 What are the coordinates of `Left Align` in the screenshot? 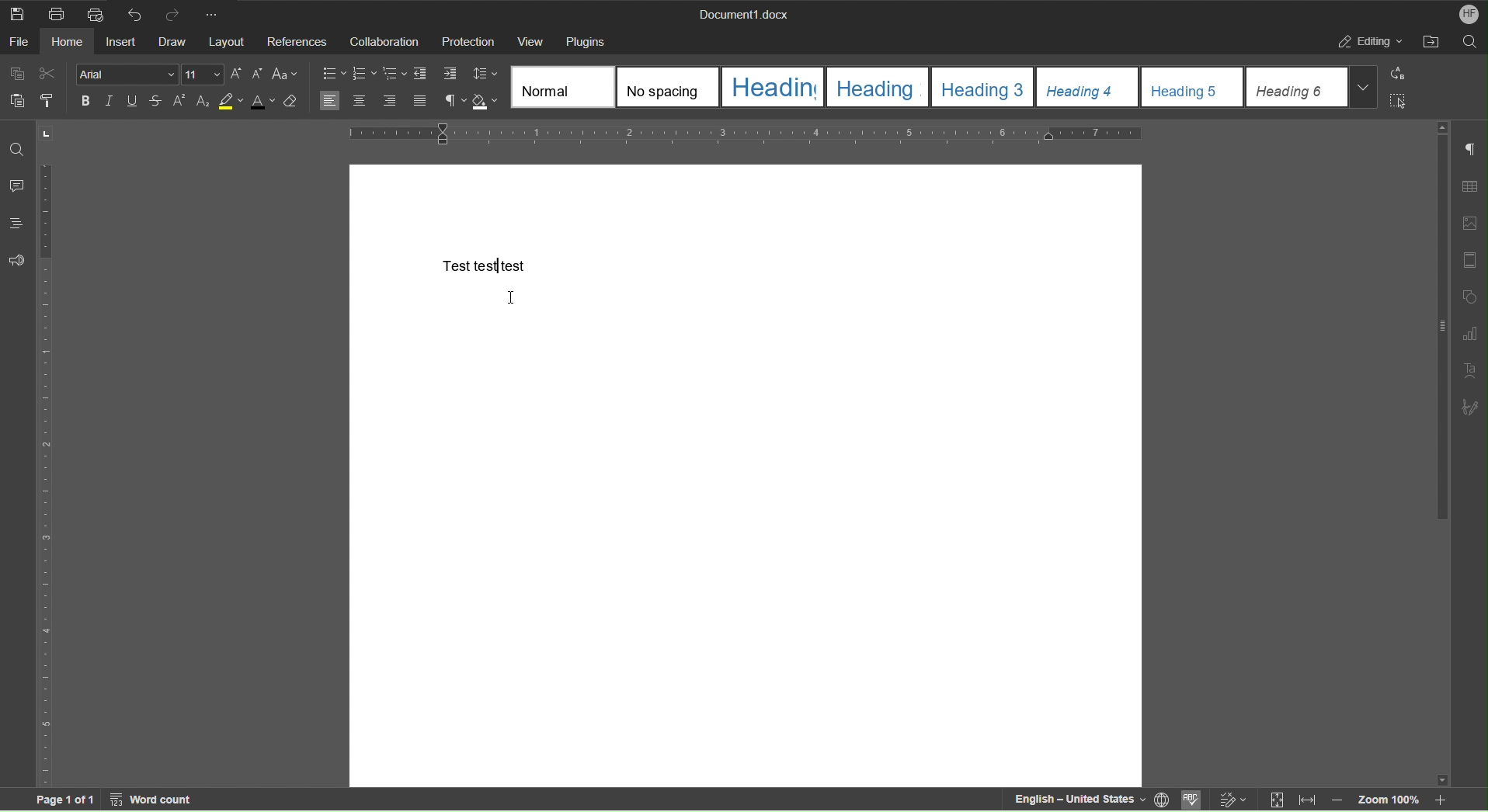 It's located at (330, 101).